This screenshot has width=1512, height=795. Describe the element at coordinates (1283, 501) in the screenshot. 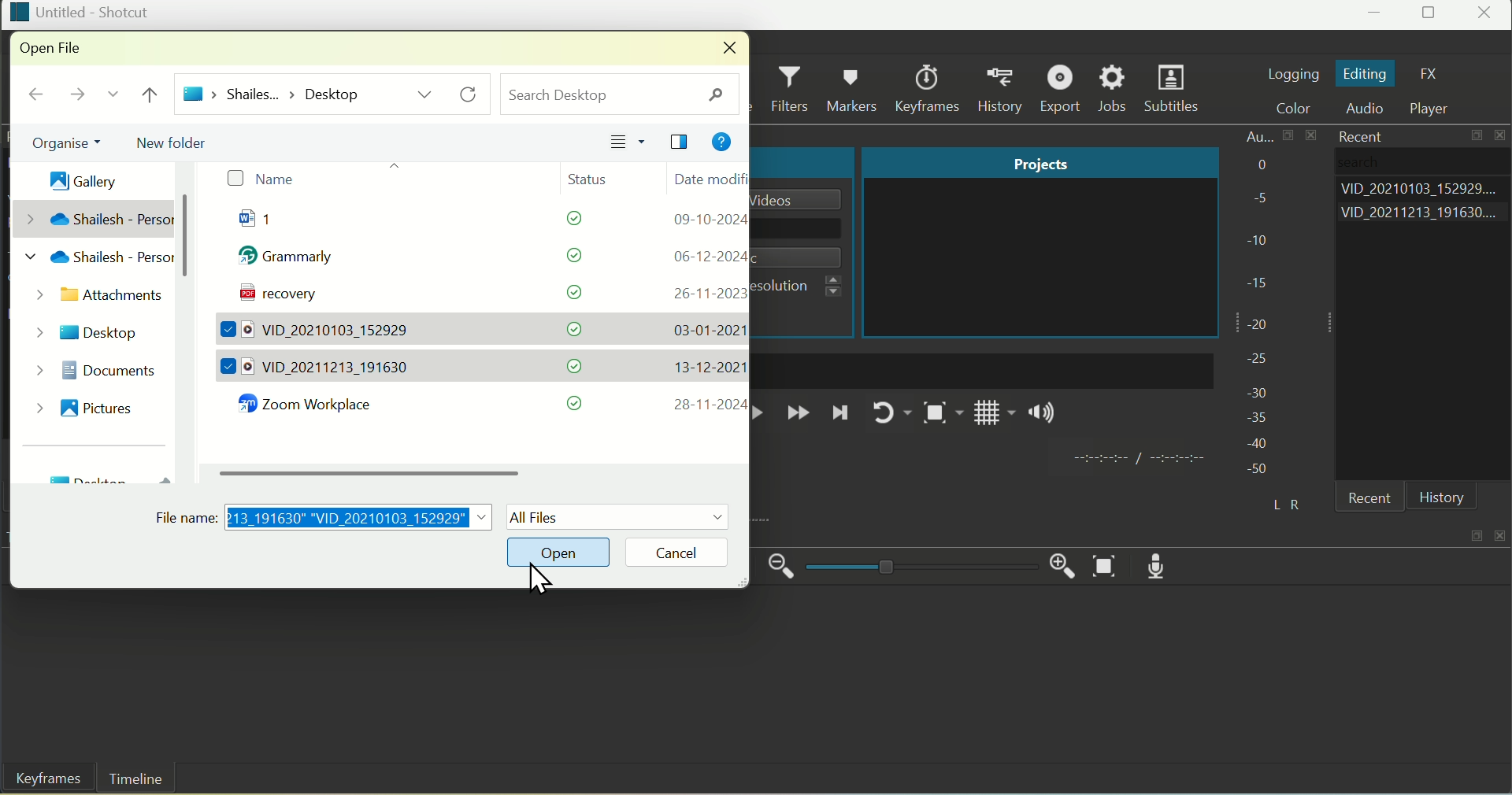

I see `L R` at that location.